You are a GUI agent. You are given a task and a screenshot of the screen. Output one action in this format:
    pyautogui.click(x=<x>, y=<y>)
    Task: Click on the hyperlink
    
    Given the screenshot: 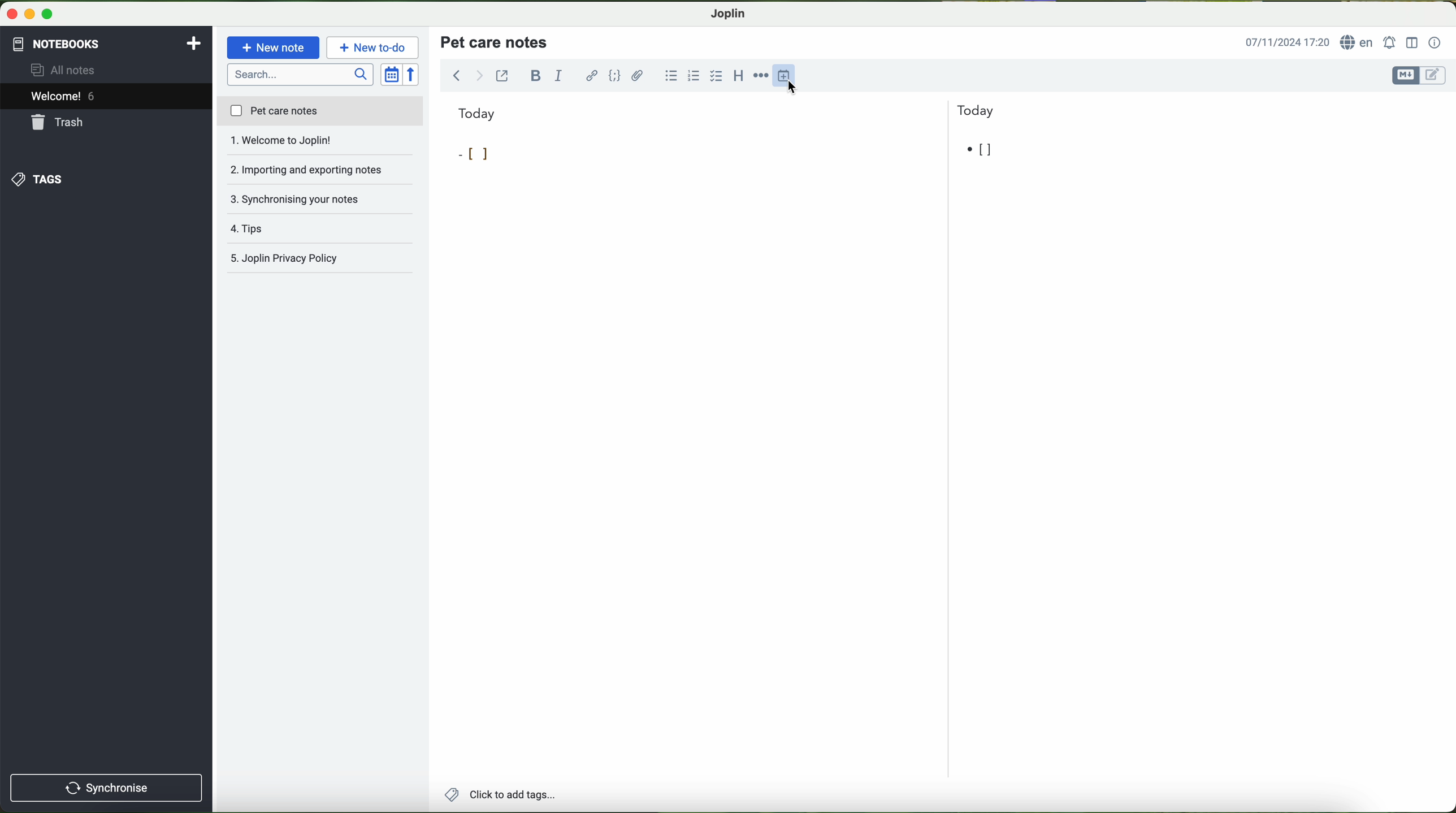 What is the action you would take?
    pyautogui.click(x=593, y=77)
    